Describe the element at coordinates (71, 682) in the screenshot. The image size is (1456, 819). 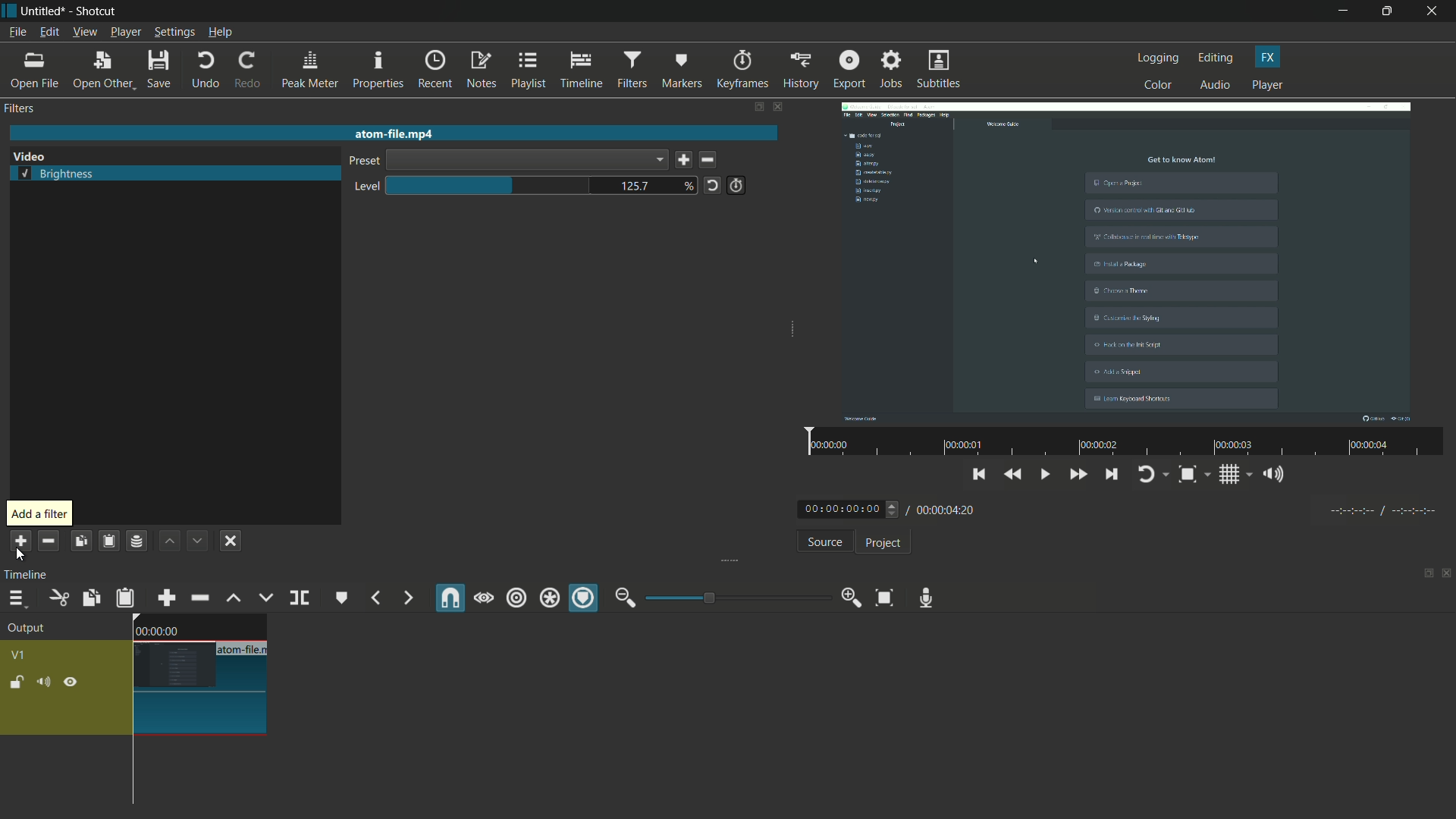
I see `hide` at that location.